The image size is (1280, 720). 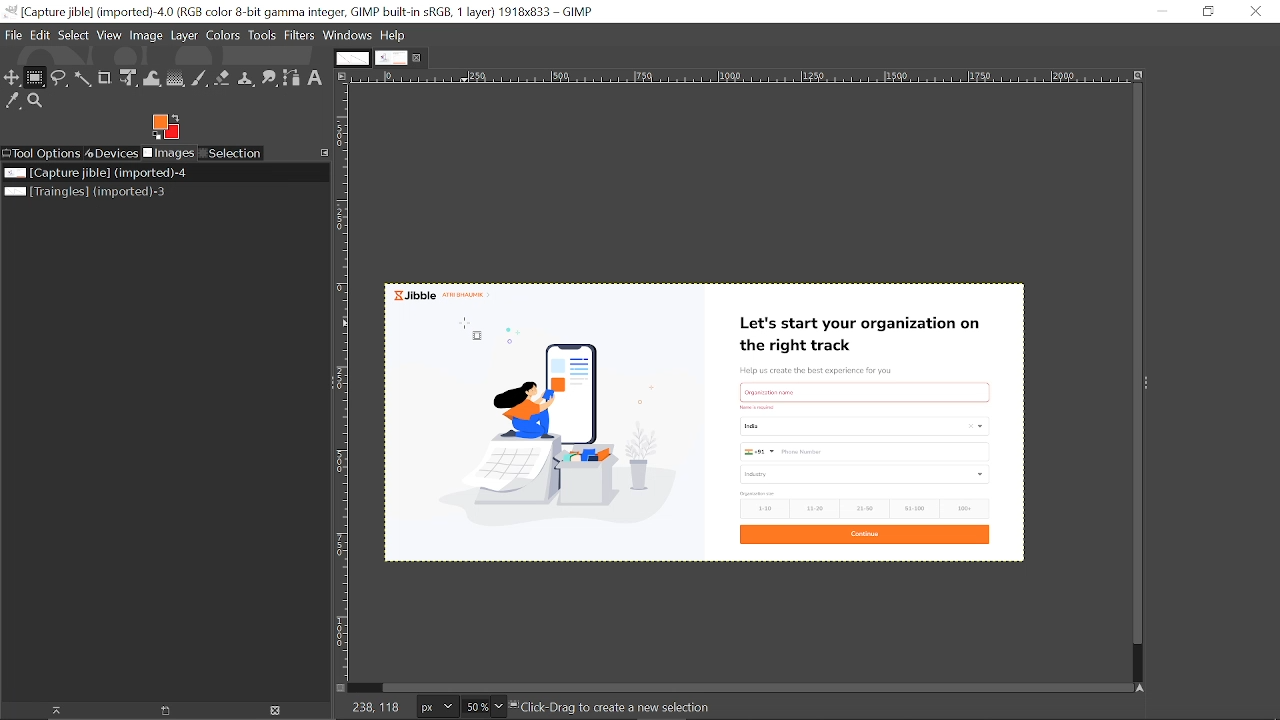 I want to click on Vertical label, so click(x=346, y=382).